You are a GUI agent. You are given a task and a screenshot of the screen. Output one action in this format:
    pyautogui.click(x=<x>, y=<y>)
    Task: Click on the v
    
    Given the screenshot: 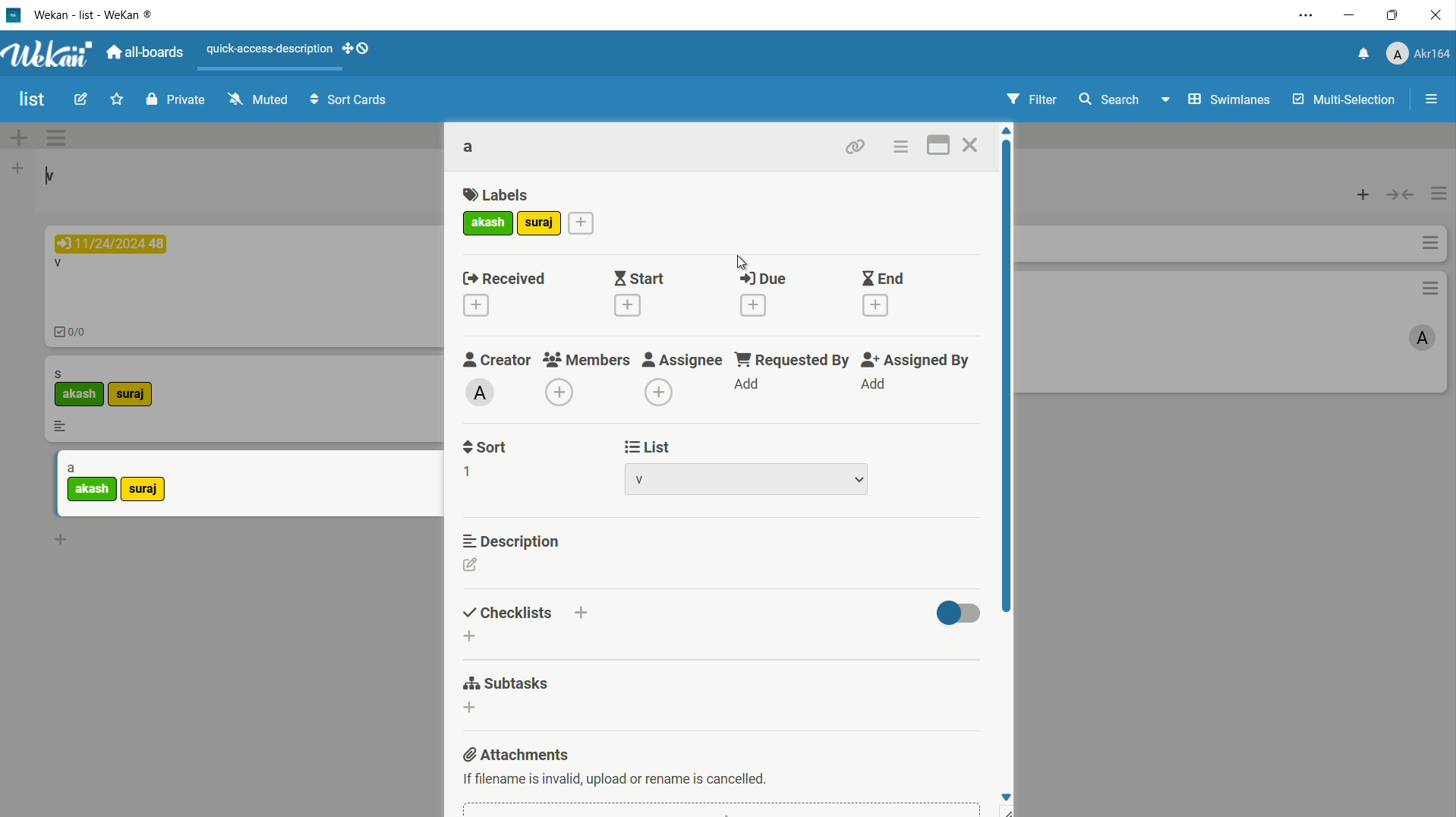 What is the action you would take?
    pyautogui.click(x=56, y=180)
    